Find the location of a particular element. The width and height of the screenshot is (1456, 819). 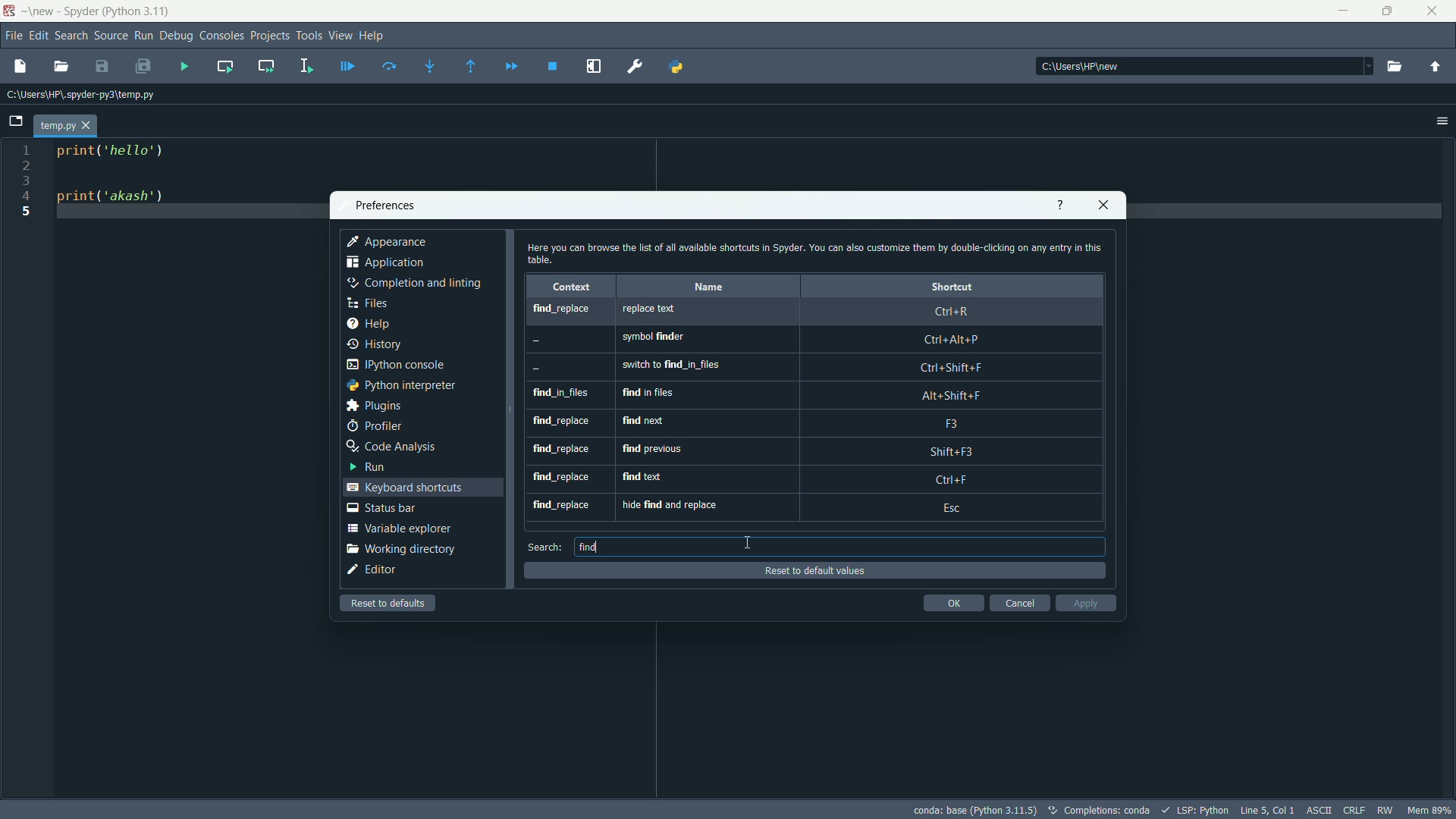

shortcut is located at coordinates (939, 287).